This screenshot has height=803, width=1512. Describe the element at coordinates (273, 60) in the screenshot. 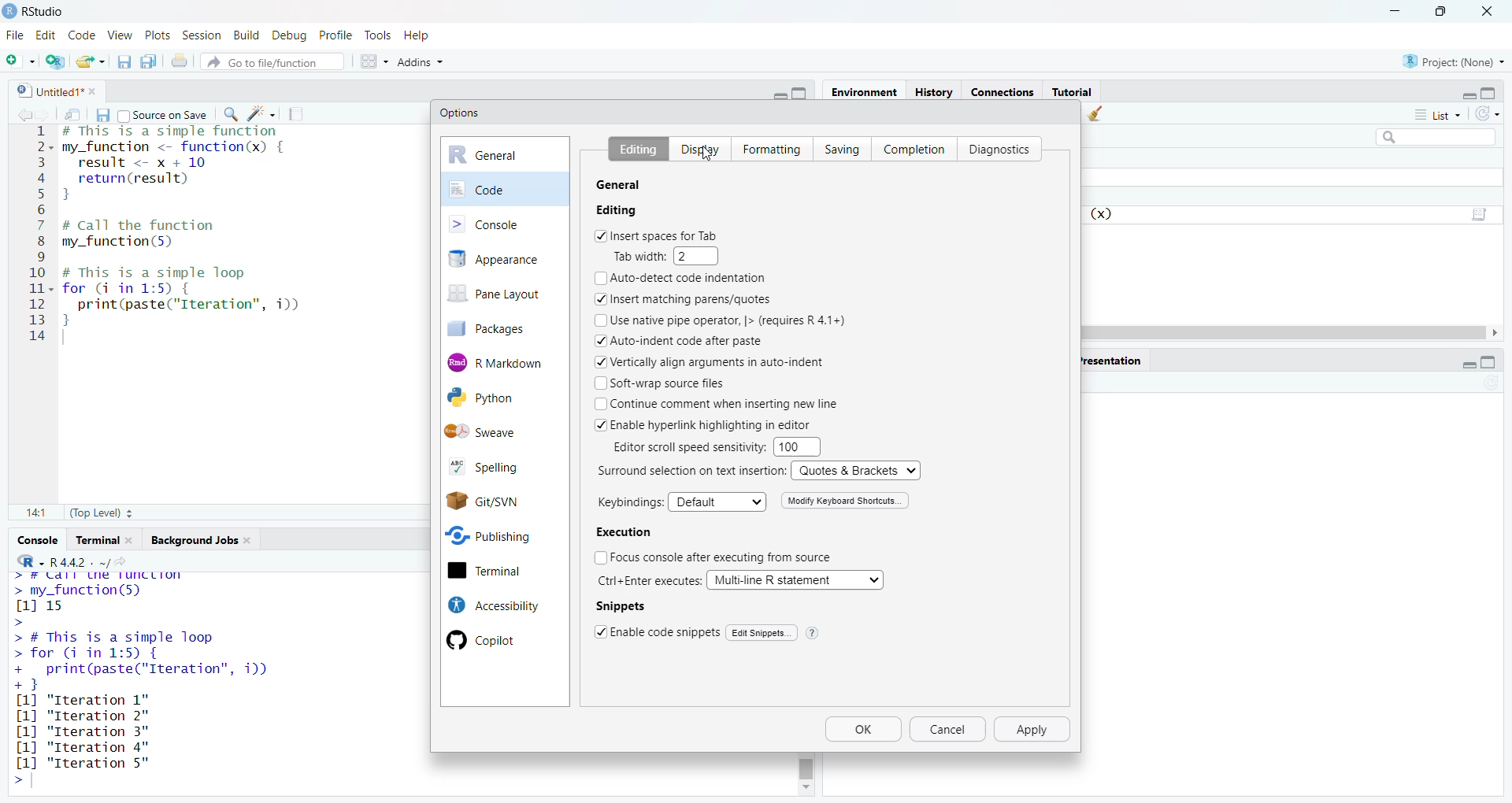

I see `go to file/function` at that location.